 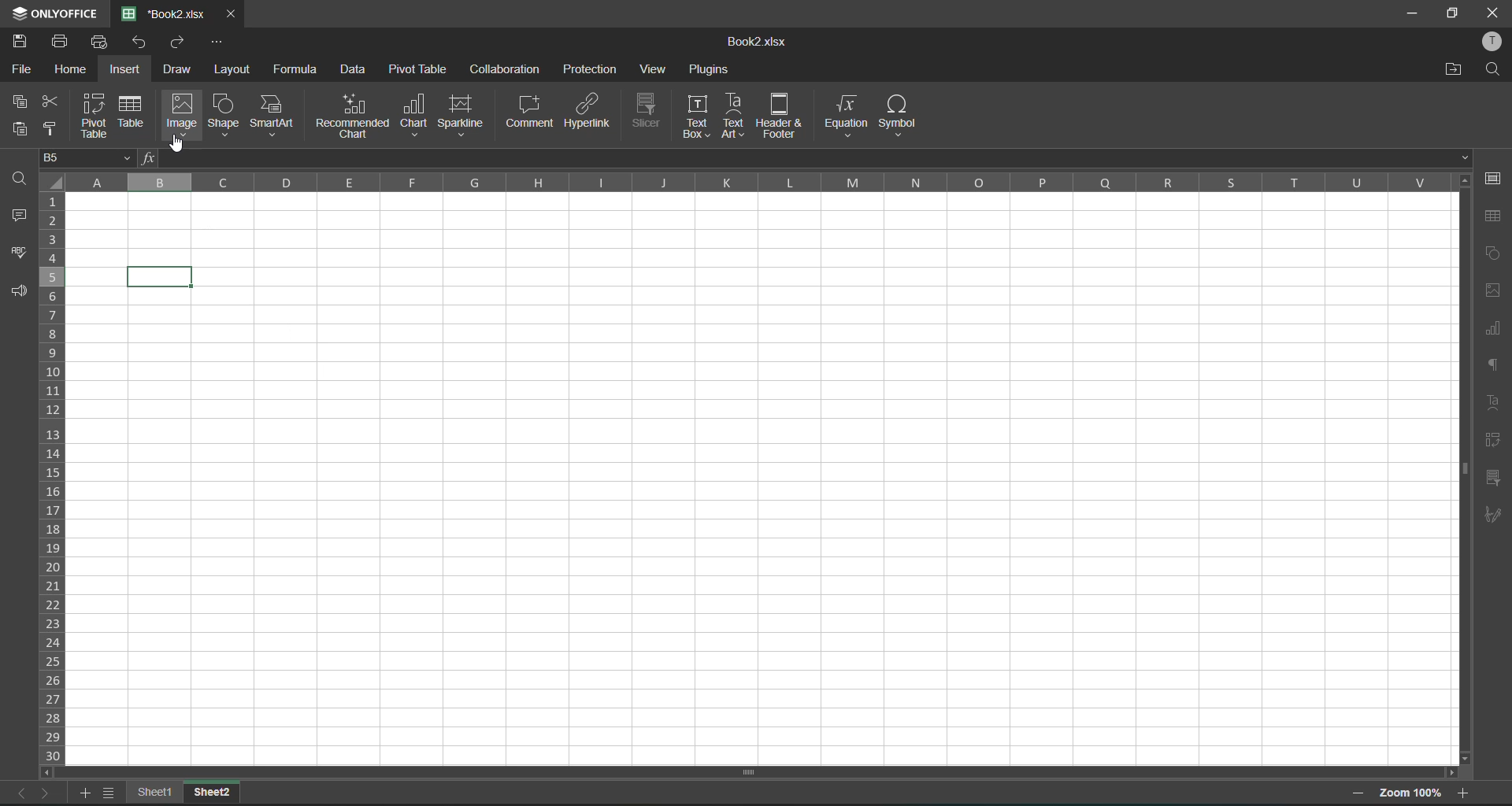 I want to click on feedback, so click(x=20, y=293).